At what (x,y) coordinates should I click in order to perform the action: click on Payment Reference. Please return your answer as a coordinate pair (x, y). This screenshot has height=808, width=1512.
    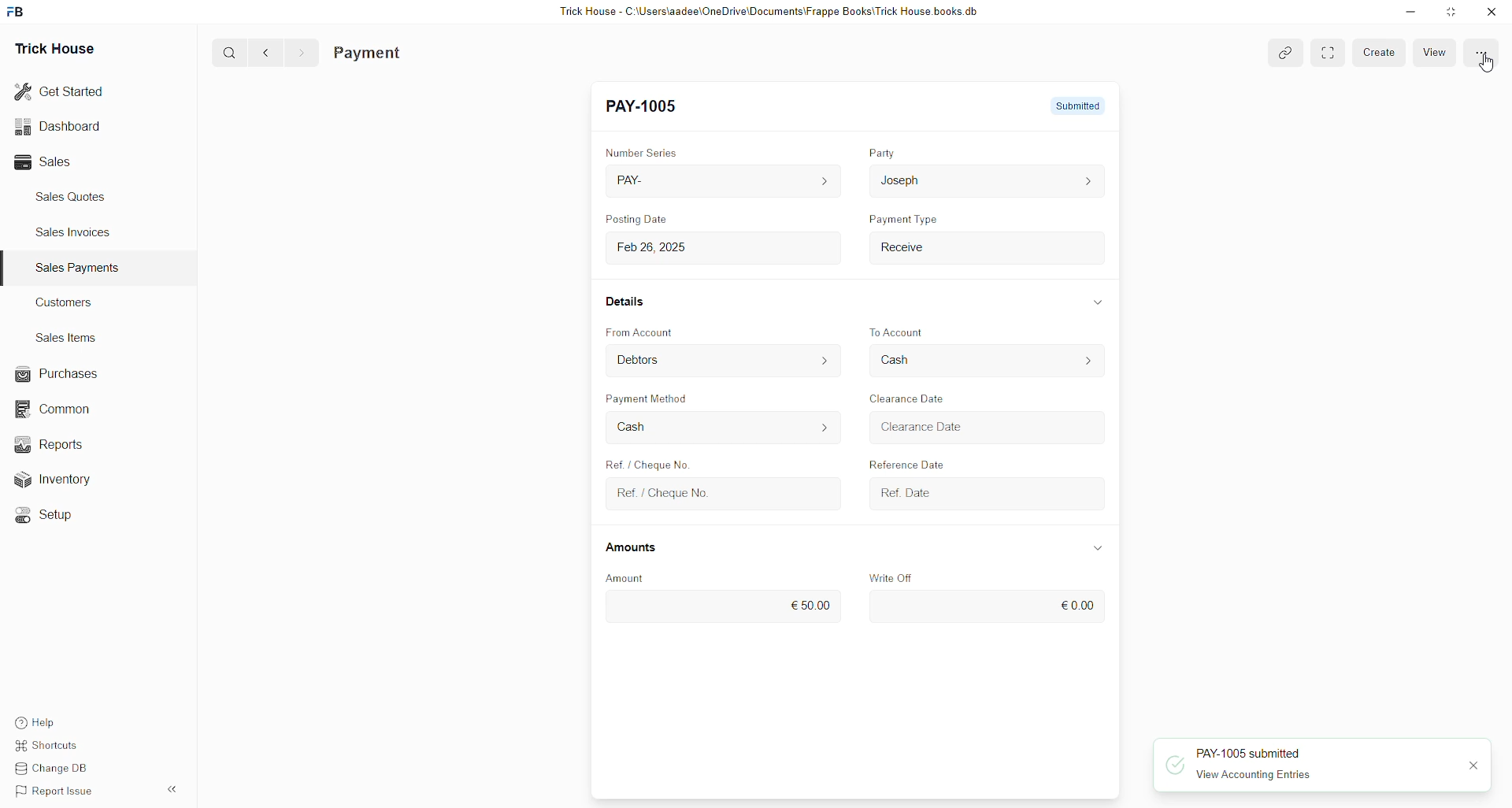
    Looking at the image, I should click on (656, 689).